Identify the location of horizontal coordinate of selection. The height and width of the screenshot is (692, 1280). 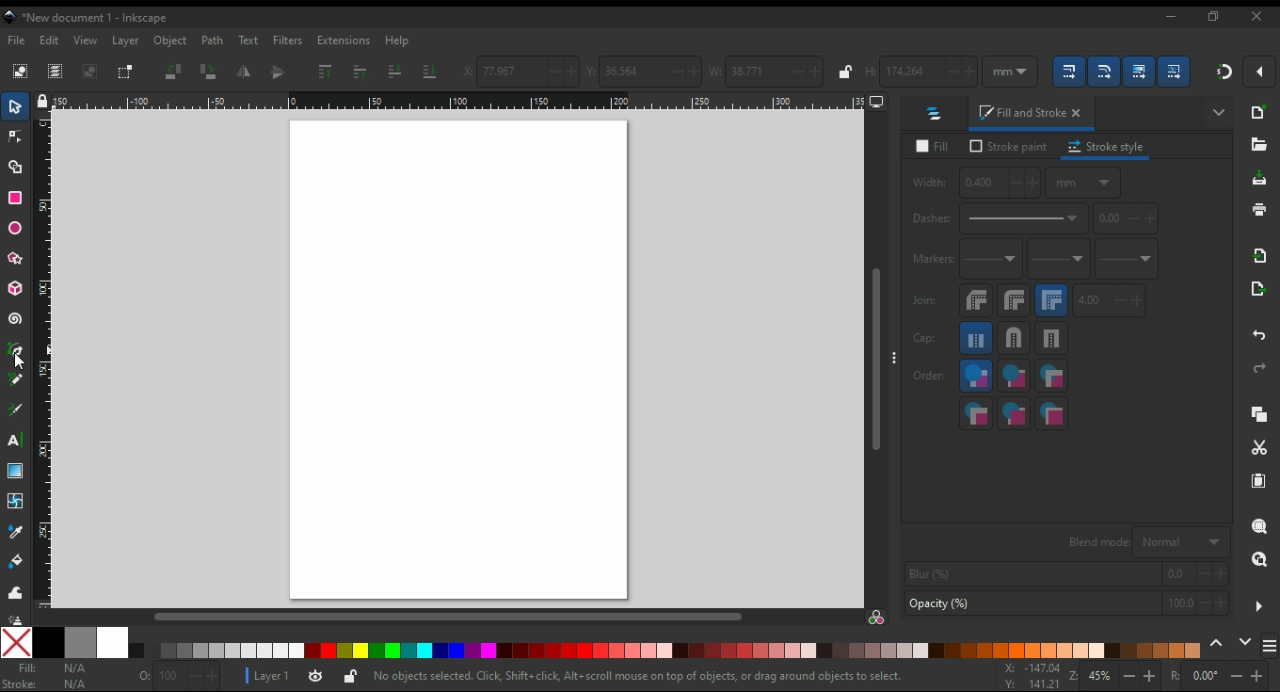
(518, 71).